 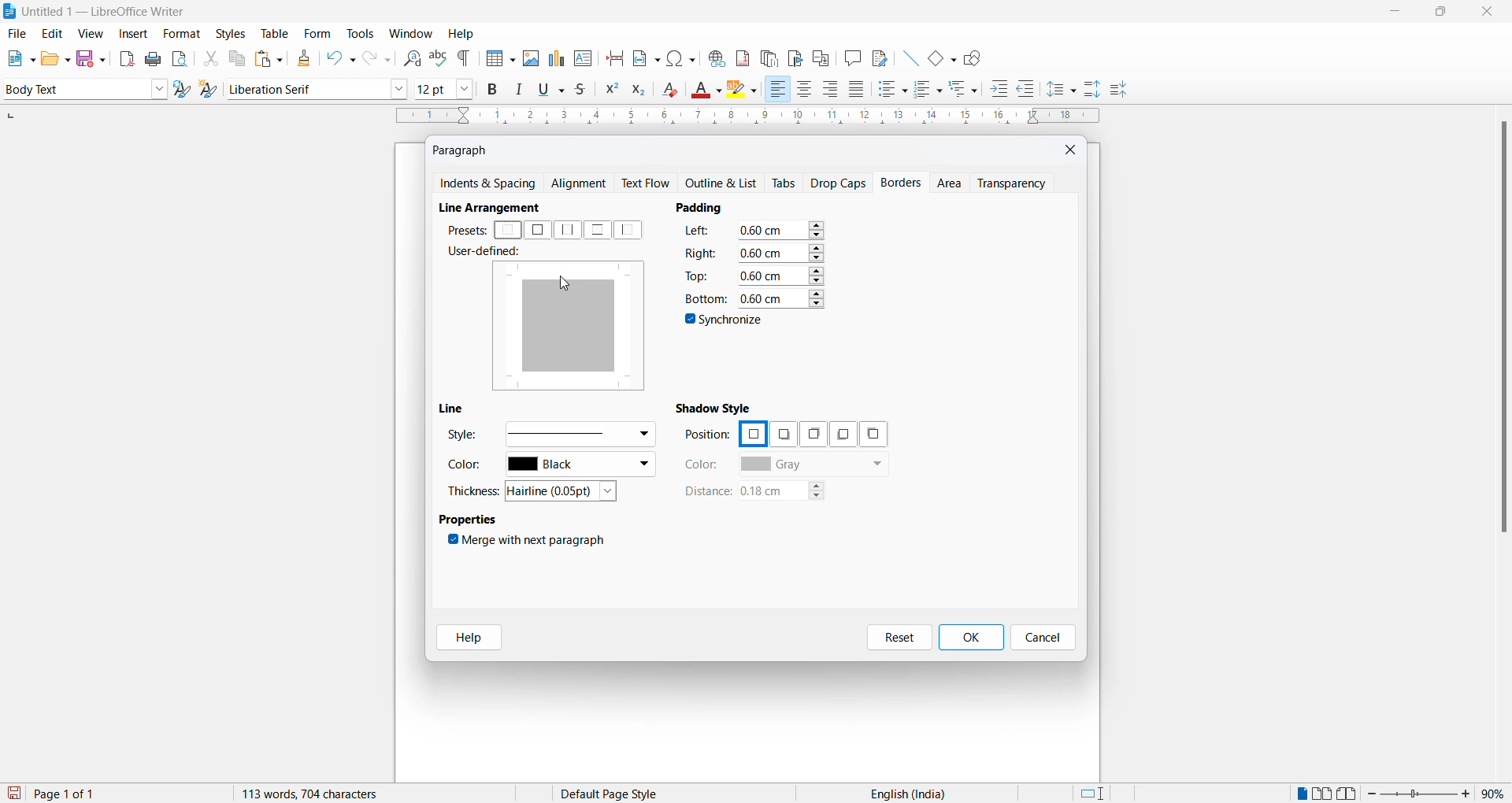 What do you see at coordinates (465, 230) in the screenshot?
I see `presets` at bounding box center [465, 230].